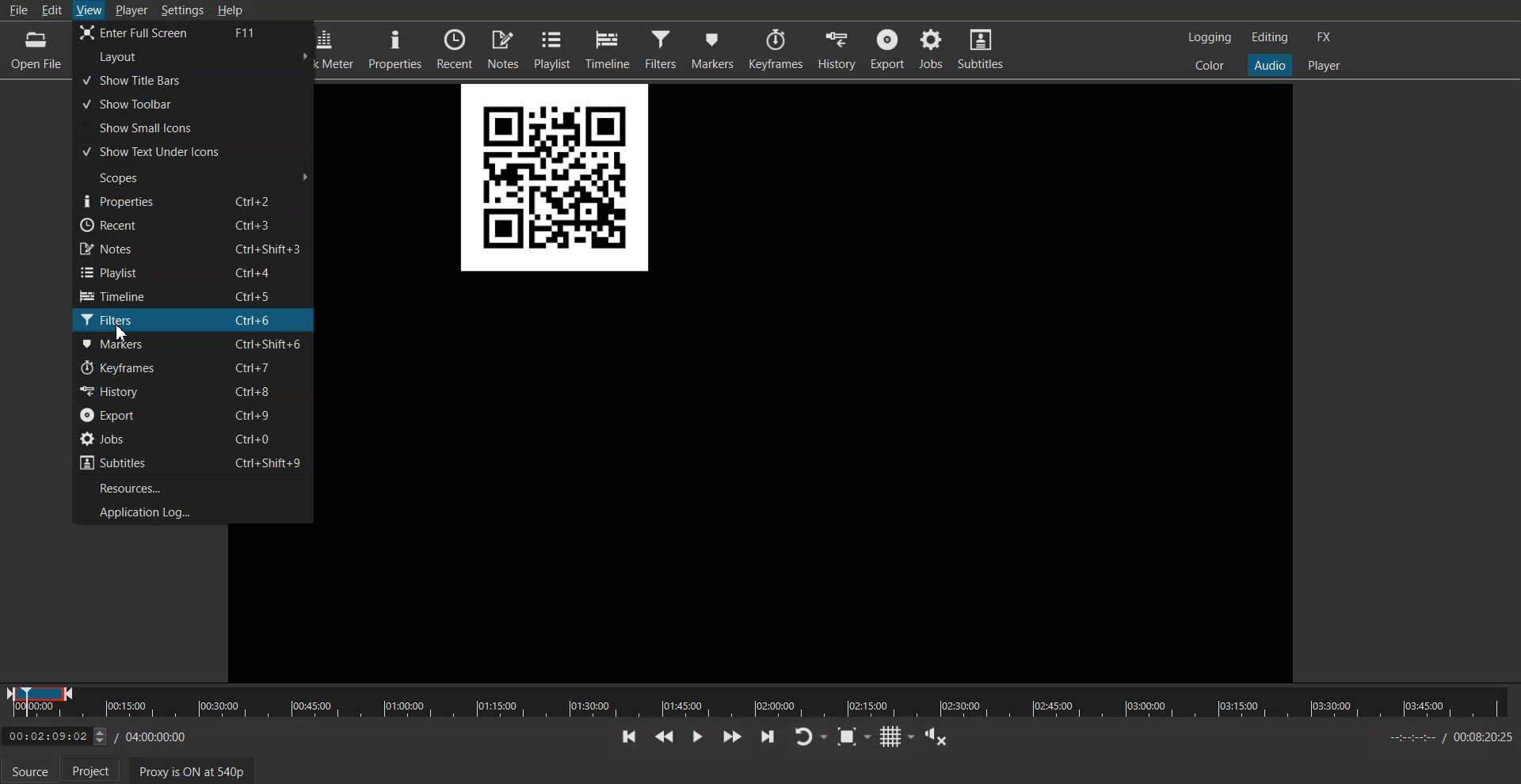  I want to click on Notes, so click(193, 249).